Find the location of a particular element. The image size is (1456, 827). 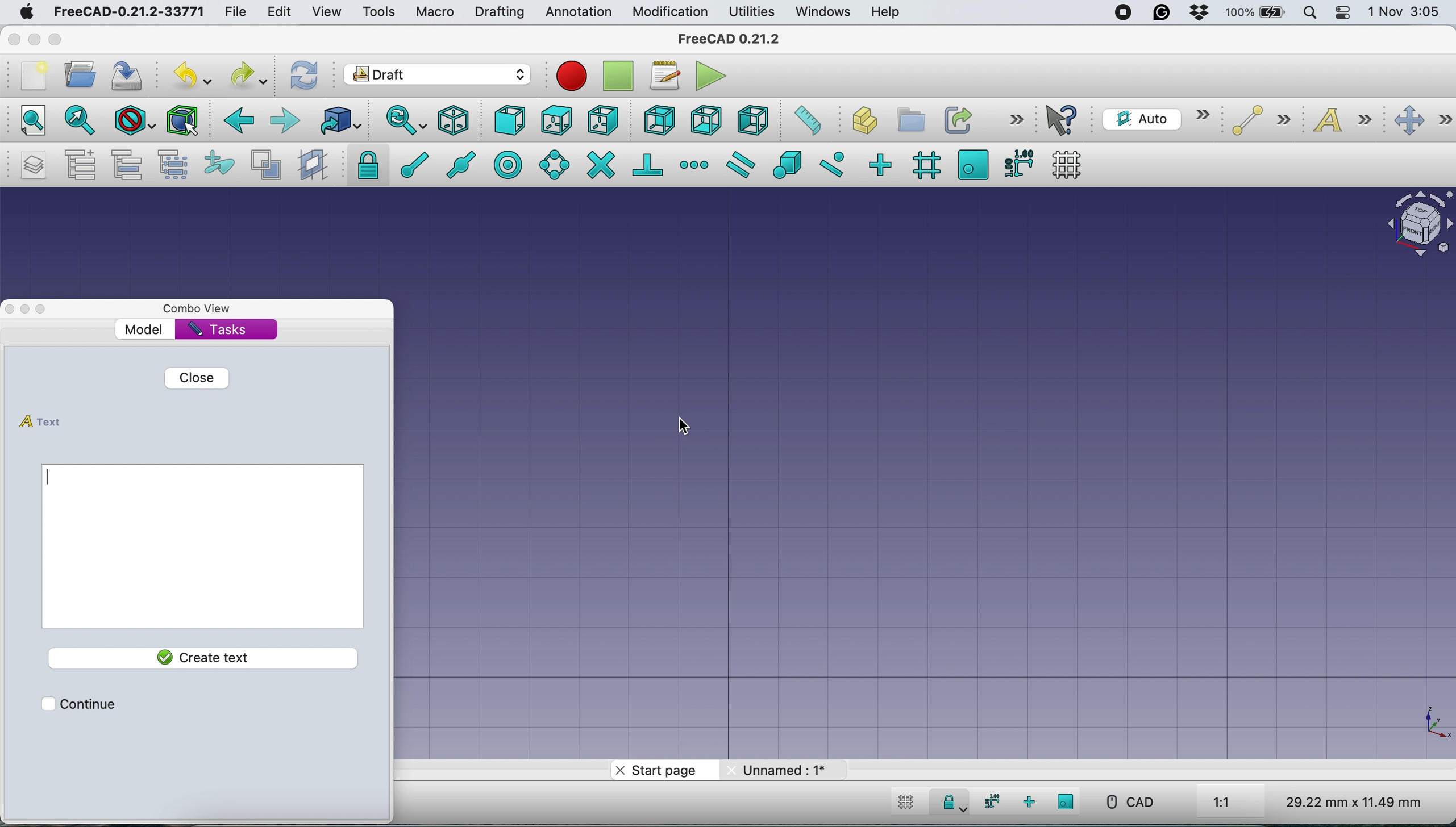

start page is located at coordinates (652, 768).